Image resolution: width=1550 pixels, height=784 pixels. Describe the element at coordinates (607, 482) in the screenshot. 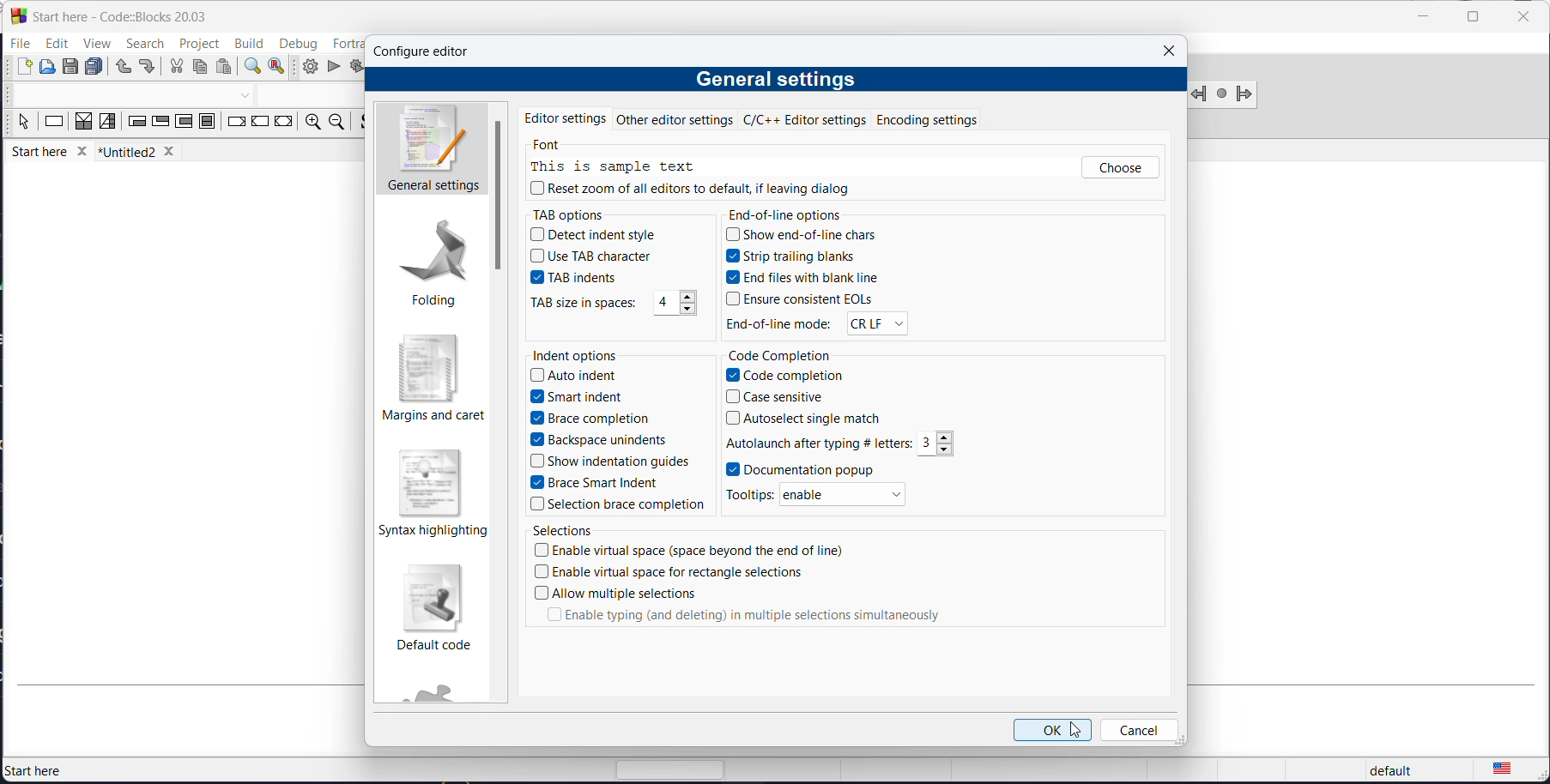

I see `brace smart indent checkbox` at that location.